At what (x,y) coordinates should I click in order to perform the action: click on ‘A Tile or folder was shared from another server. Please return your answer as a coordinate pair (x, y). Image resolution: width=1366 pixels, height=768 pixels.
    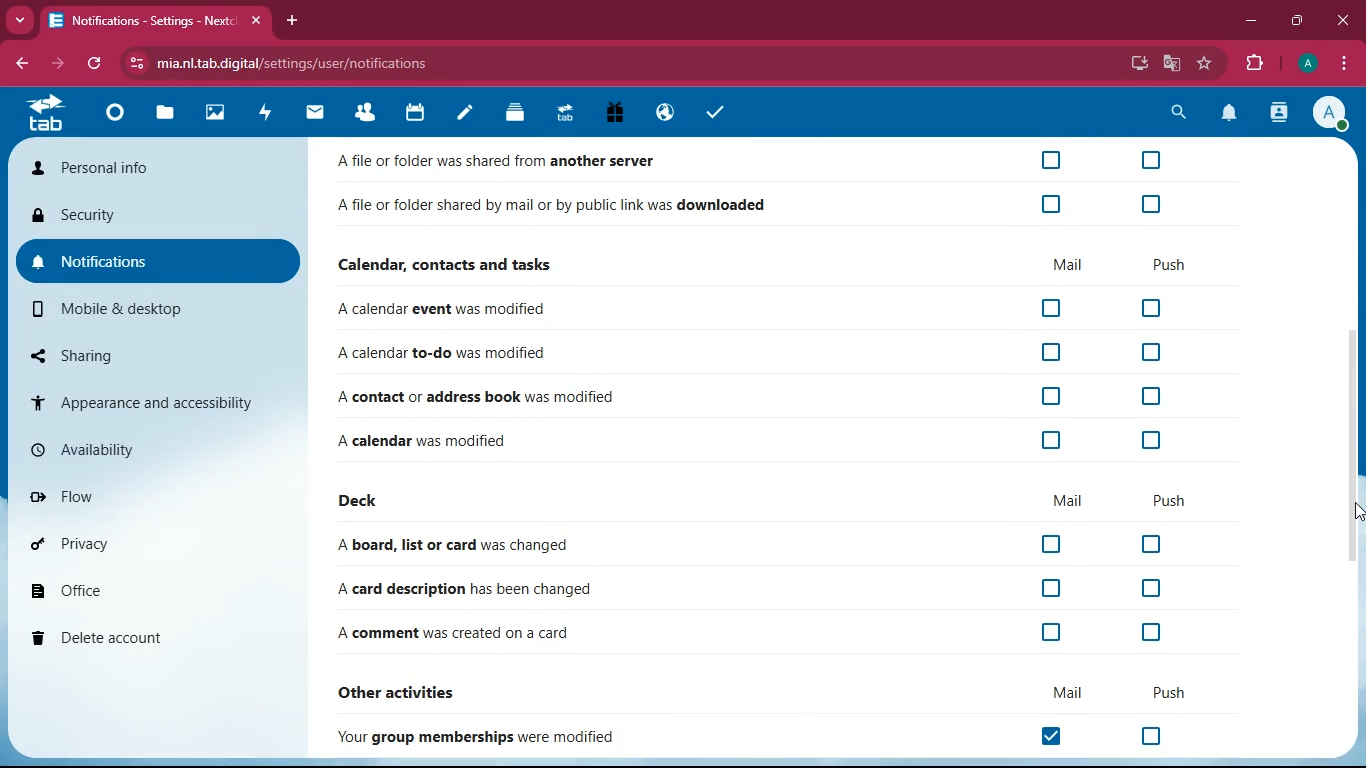
    Looking at the image, I should click on (508, 162).